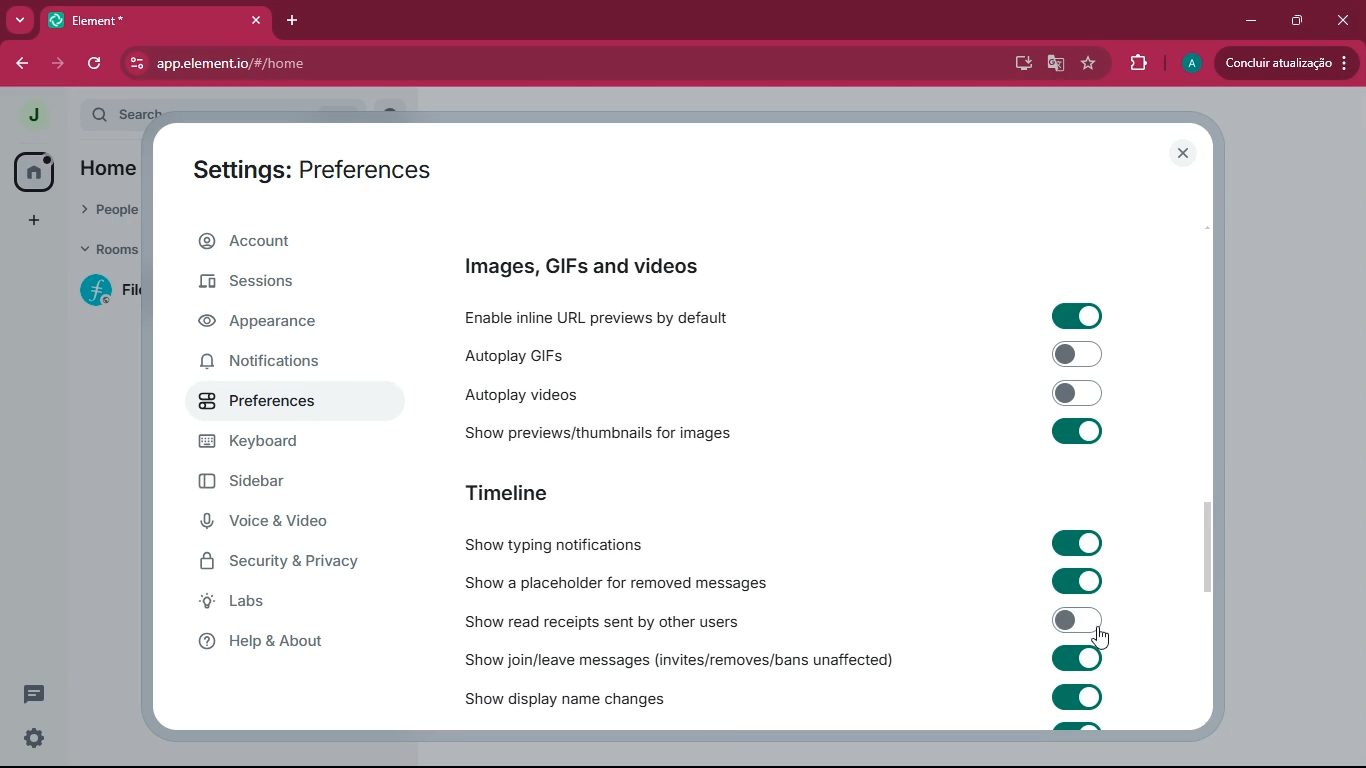  What do you see at coordinates (1018, 63) in the screenshot?
I see `desktop` at bounding box center [1018, 63].